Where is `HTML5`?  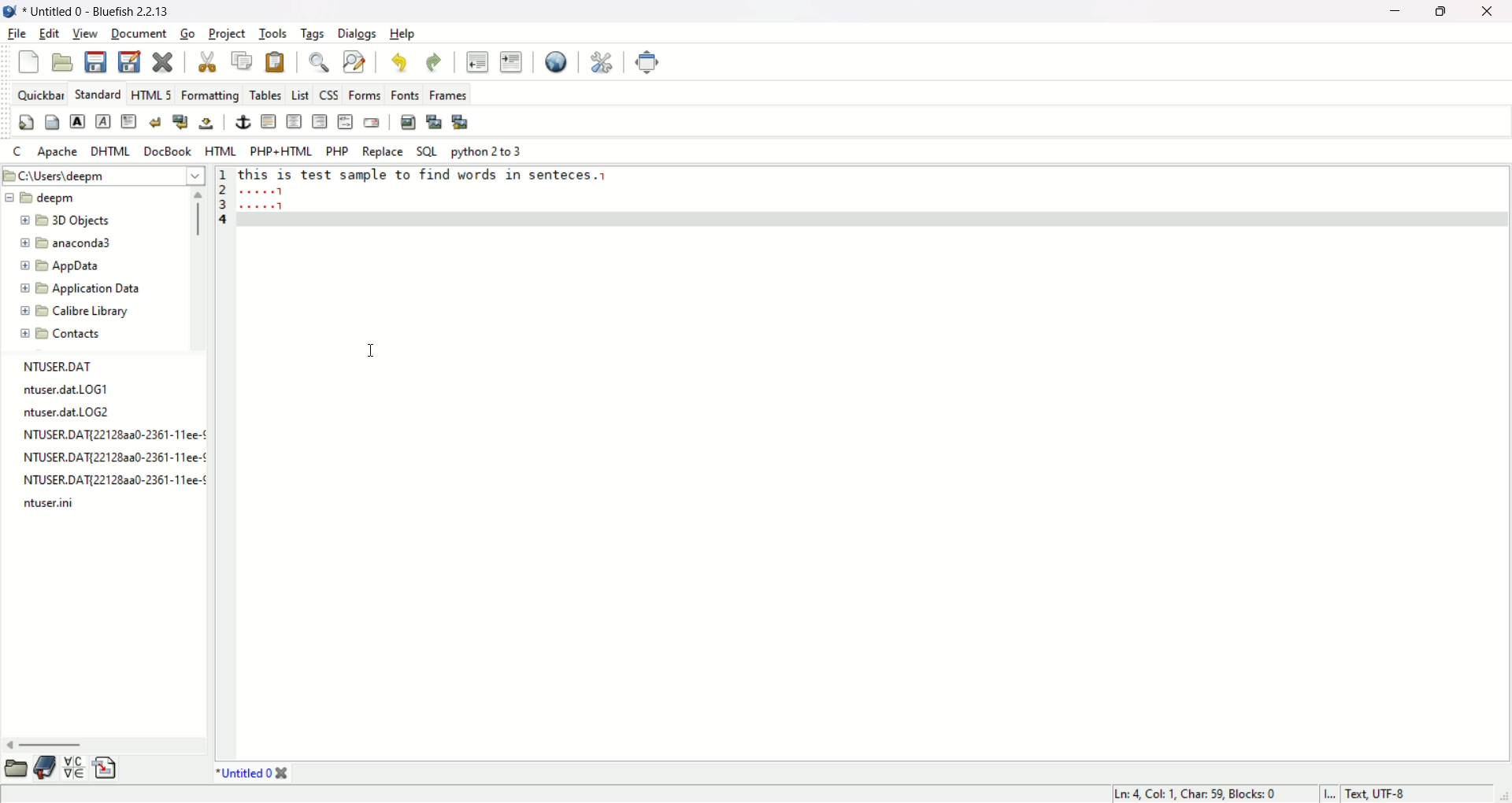 HTML5 is located at coordinates (149, 93).